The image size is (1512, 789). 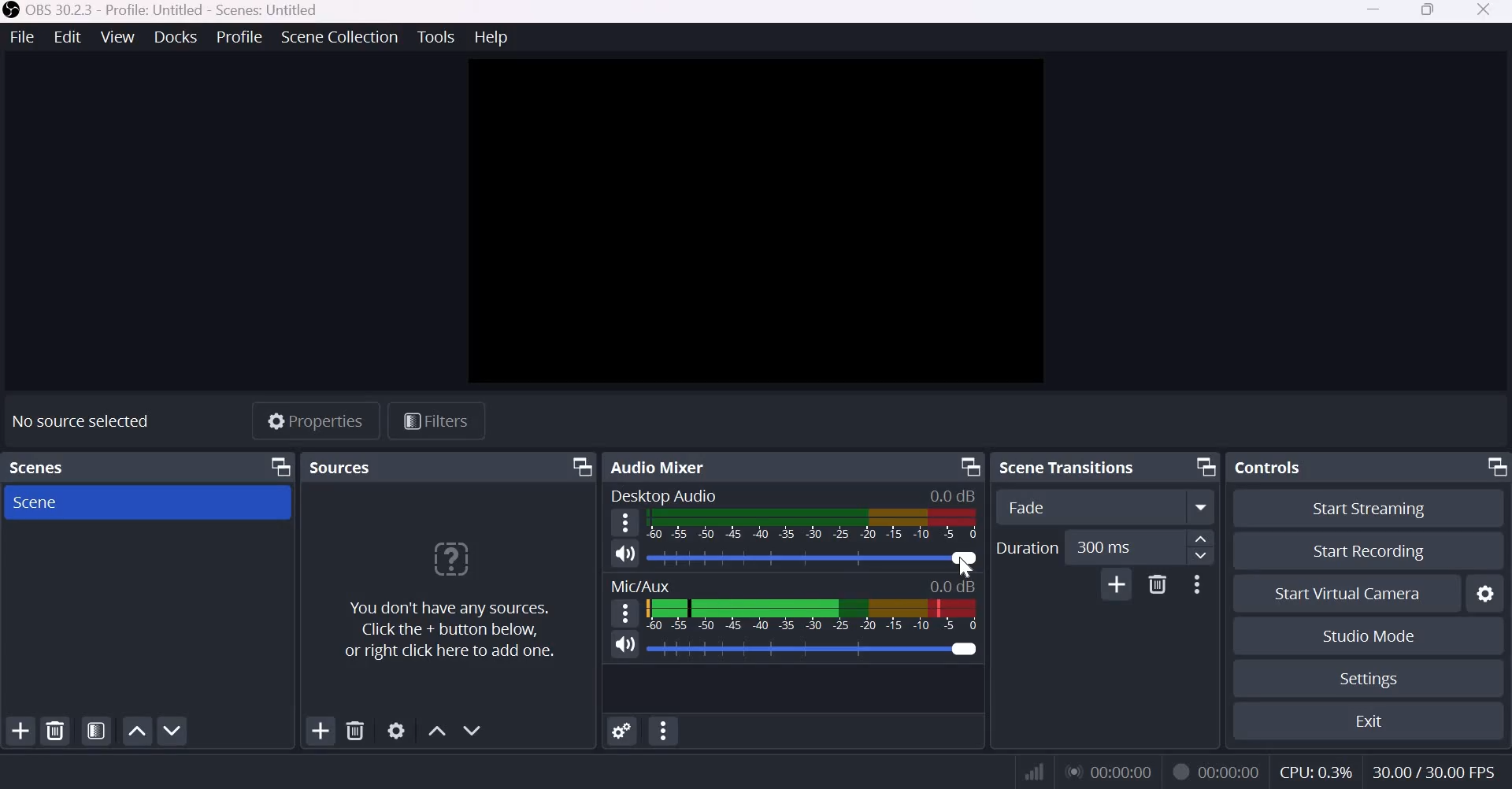 What do you see at coordinates (1203, 558) in the screenshot?
I see `Decrease` at bounding box center [1203, 558].